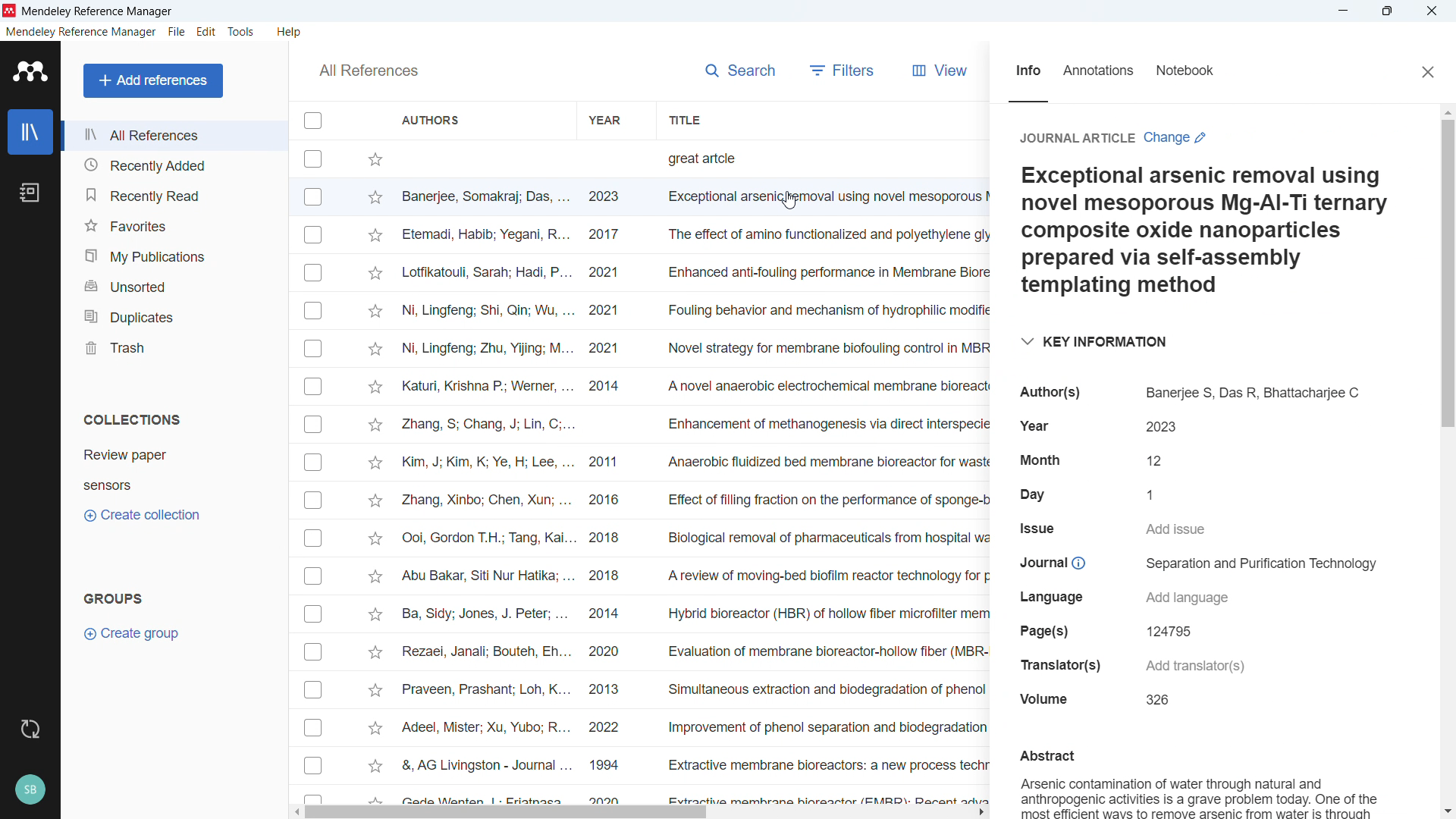  I want to click on file, so click(177, 33).